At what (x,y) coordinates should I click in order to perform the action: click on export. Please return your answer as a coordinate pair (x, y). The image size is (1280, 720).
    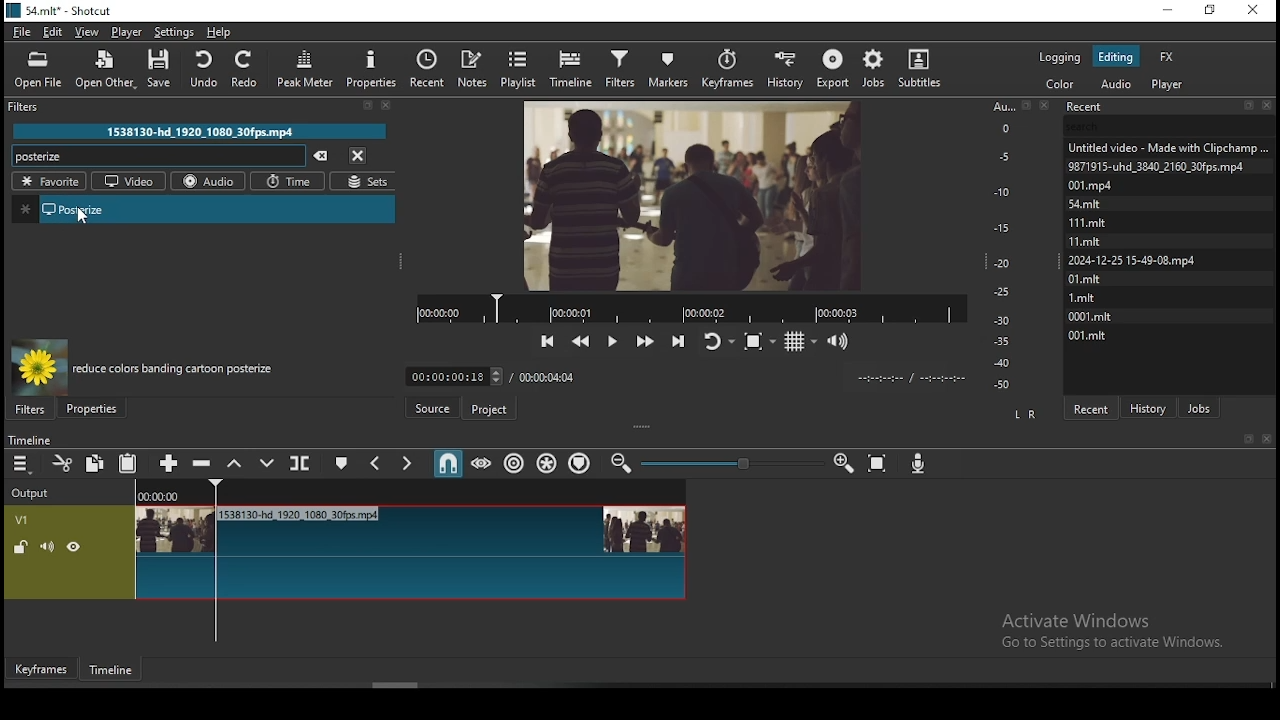
    Looking at the image, I should click on (835, 66).